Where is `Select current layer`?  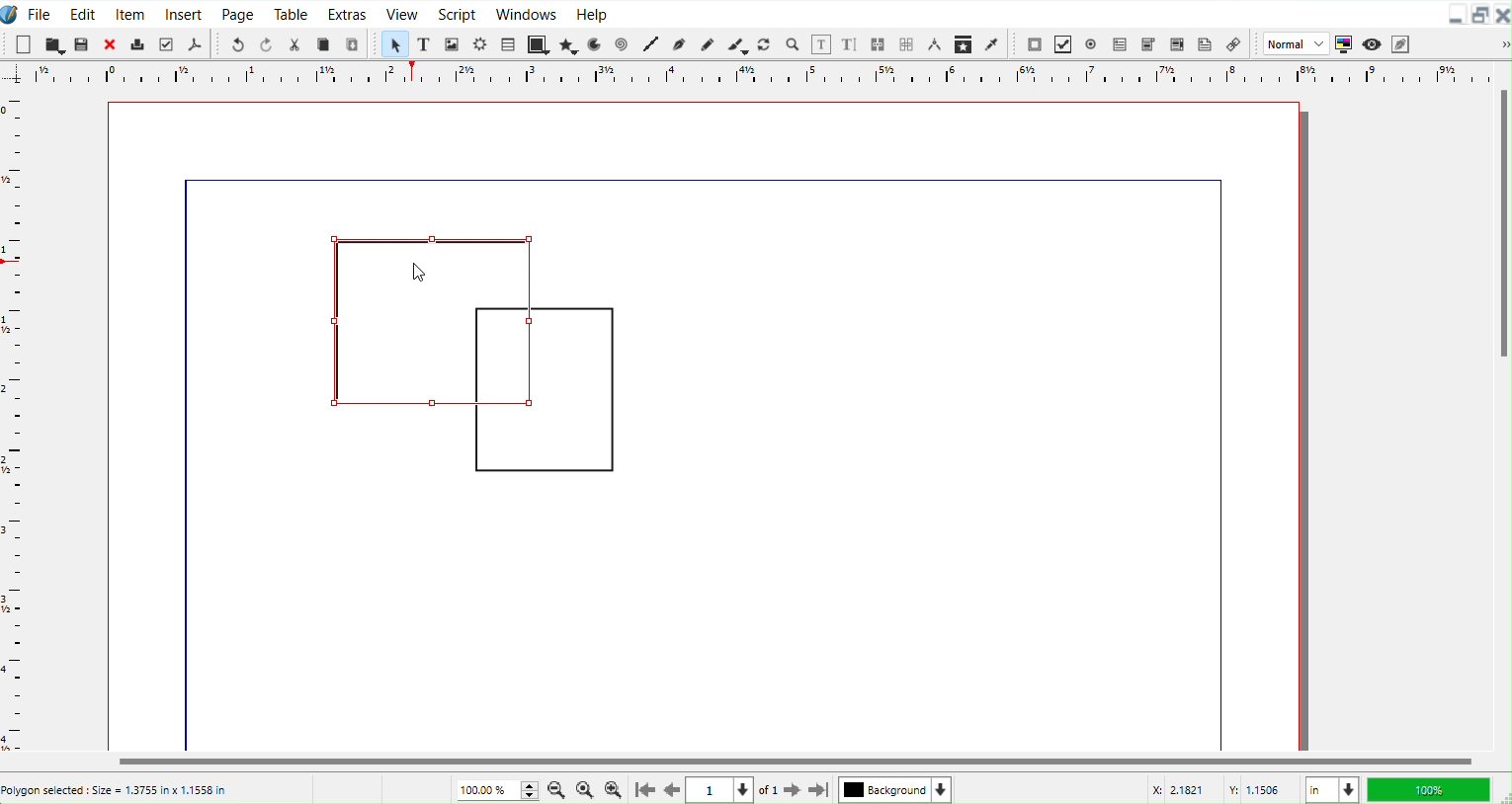
Select current layer is located at coordinates (895, 789).